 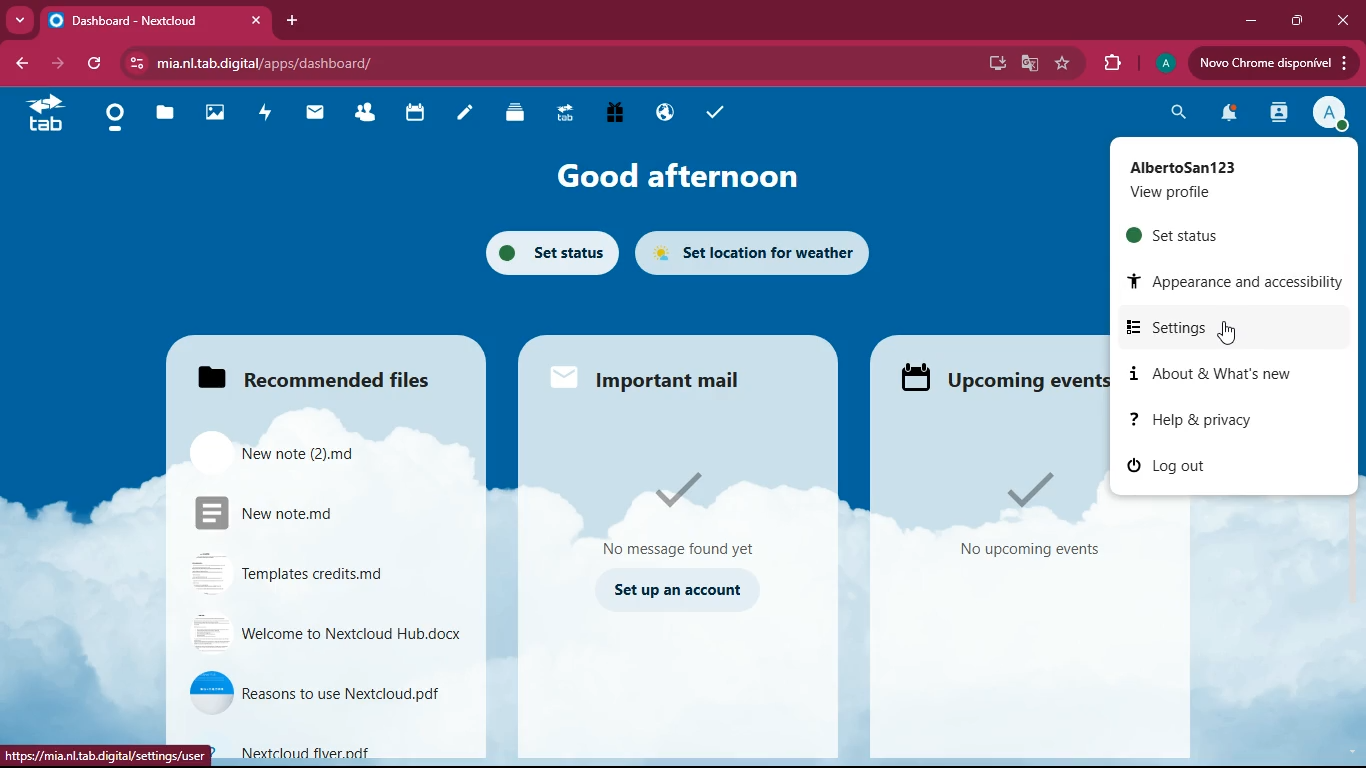 What do you see at coordinates (322, 696) in the screenshot?
I see `file` at bounding box center [322, 696].